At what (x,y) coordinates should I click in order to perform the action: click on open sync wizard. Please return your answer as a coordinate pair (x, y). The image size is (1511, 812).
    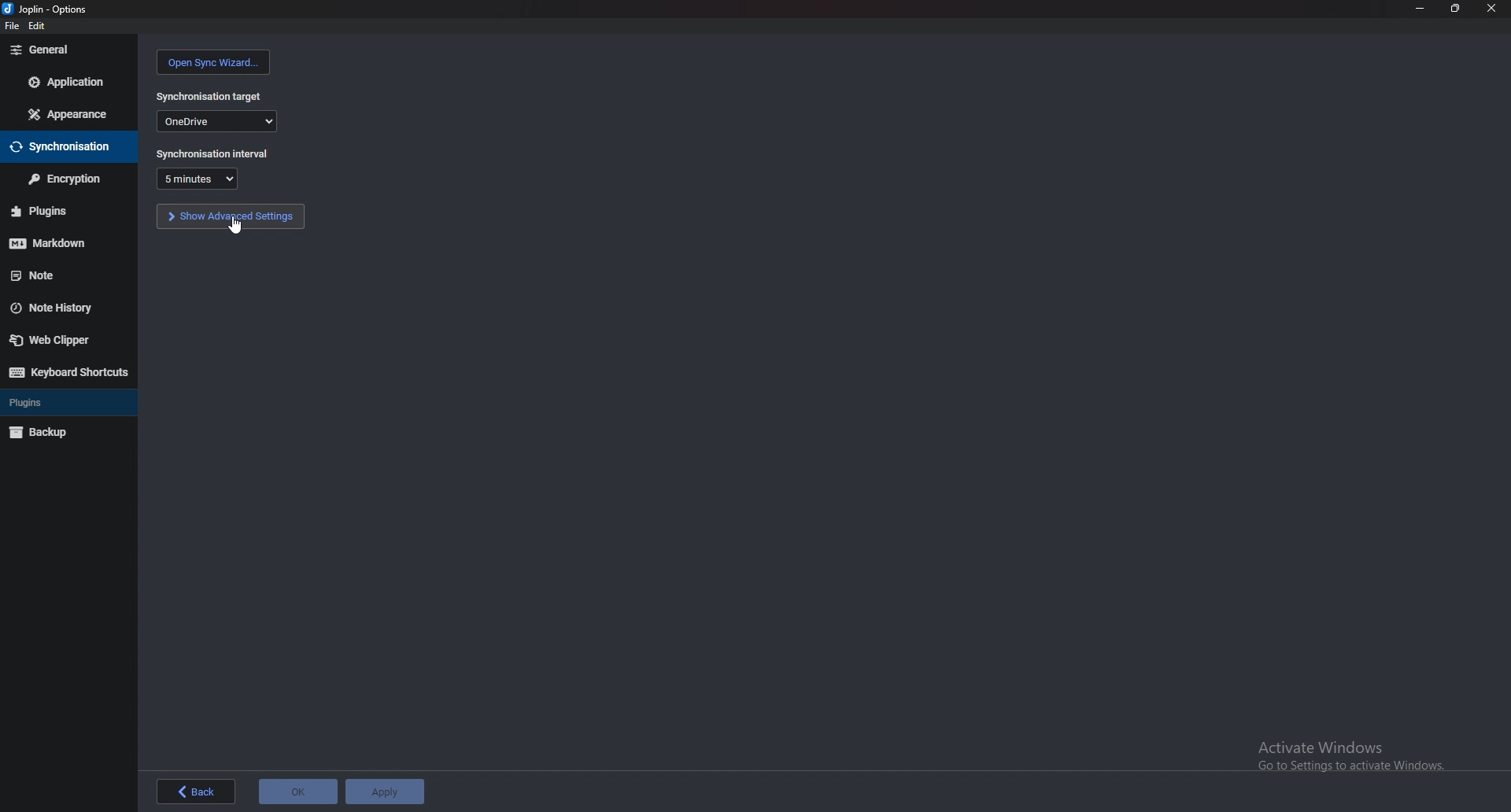
    Looking at the image, I should click on (214, 62).